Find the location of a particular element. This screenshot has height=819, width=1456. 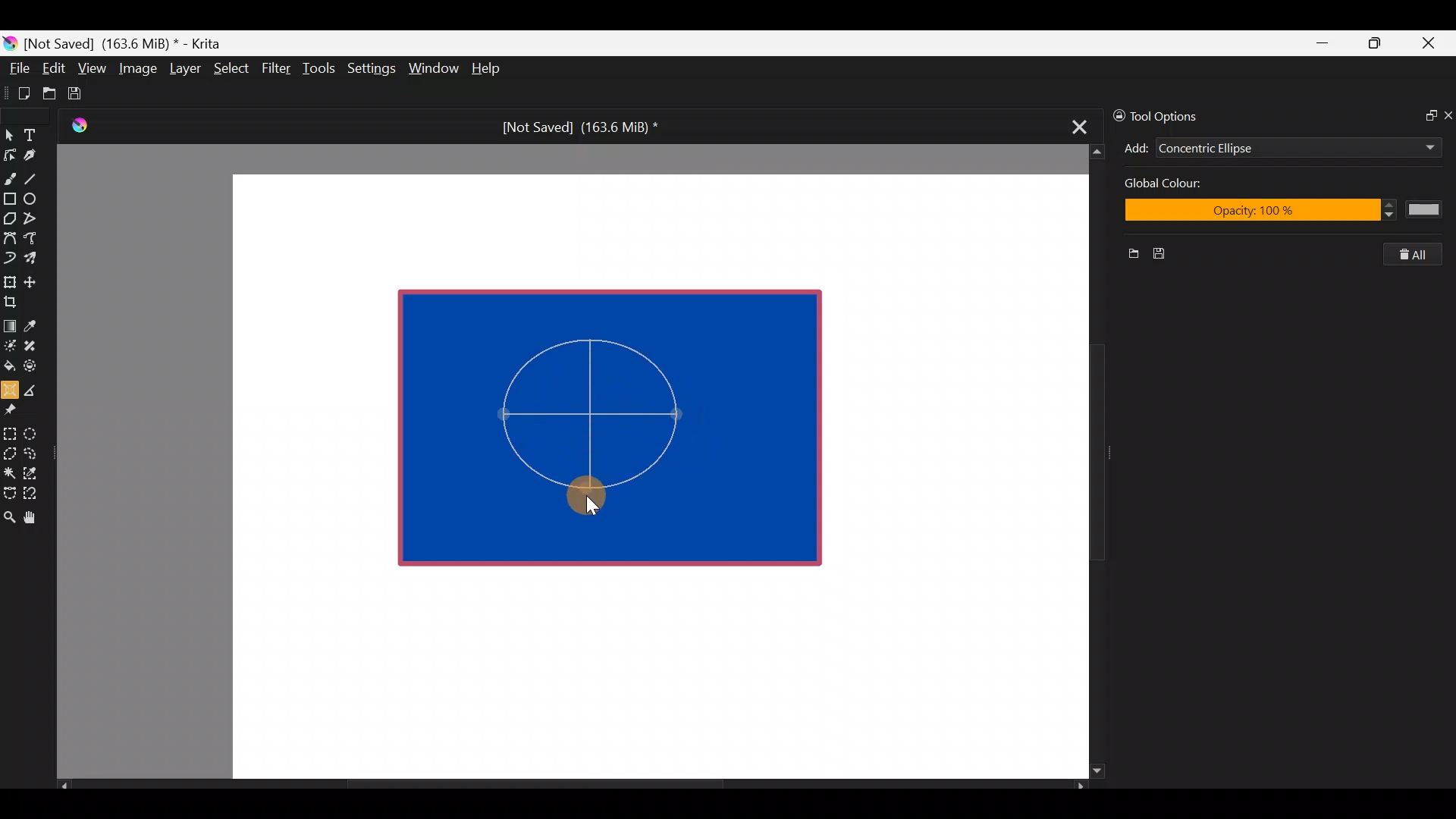

Tool options is located at coordinates (1178, 116).